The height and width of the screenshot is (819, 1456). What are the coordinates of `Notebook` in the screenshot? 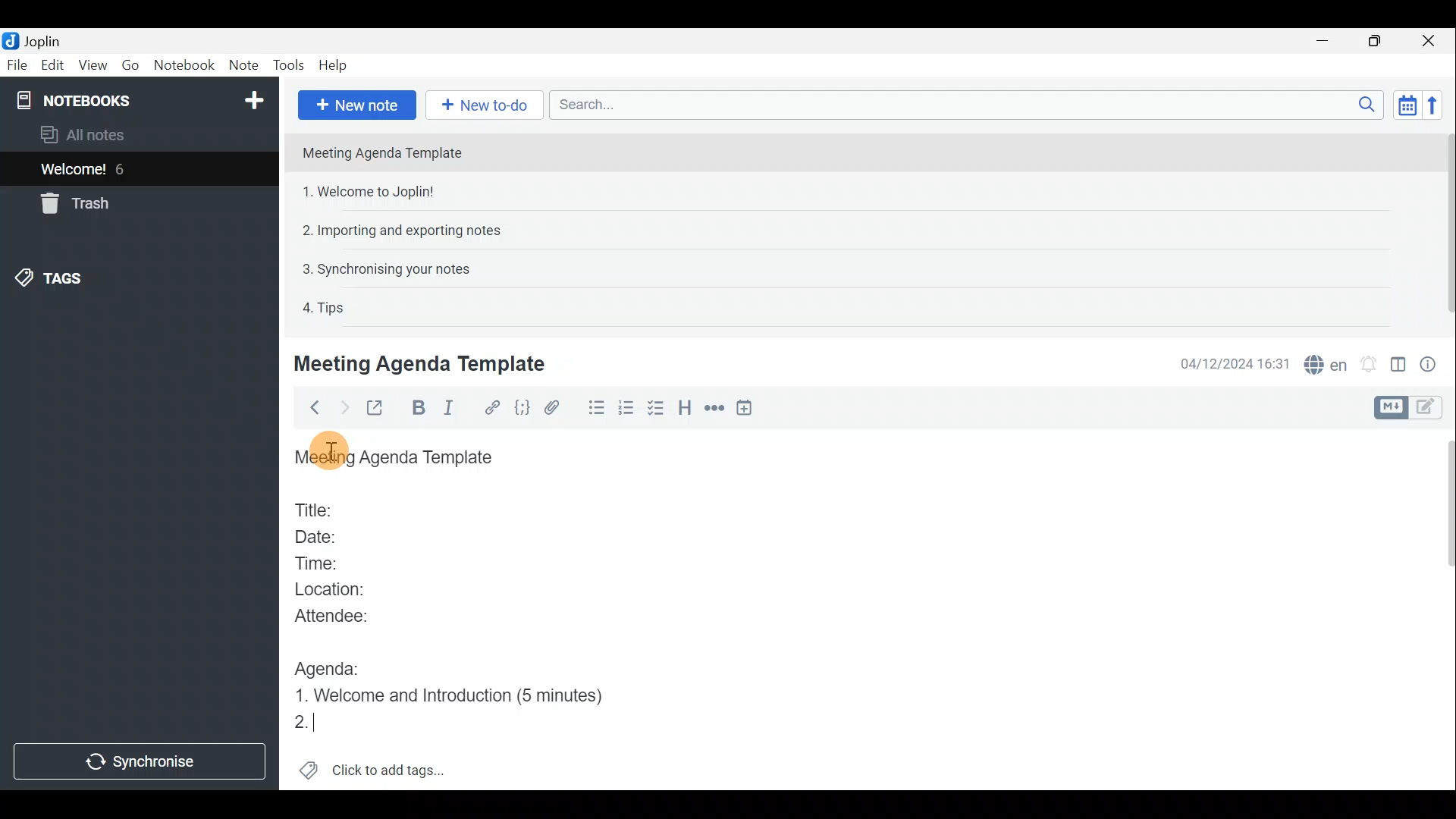 It's located at (183, 64).